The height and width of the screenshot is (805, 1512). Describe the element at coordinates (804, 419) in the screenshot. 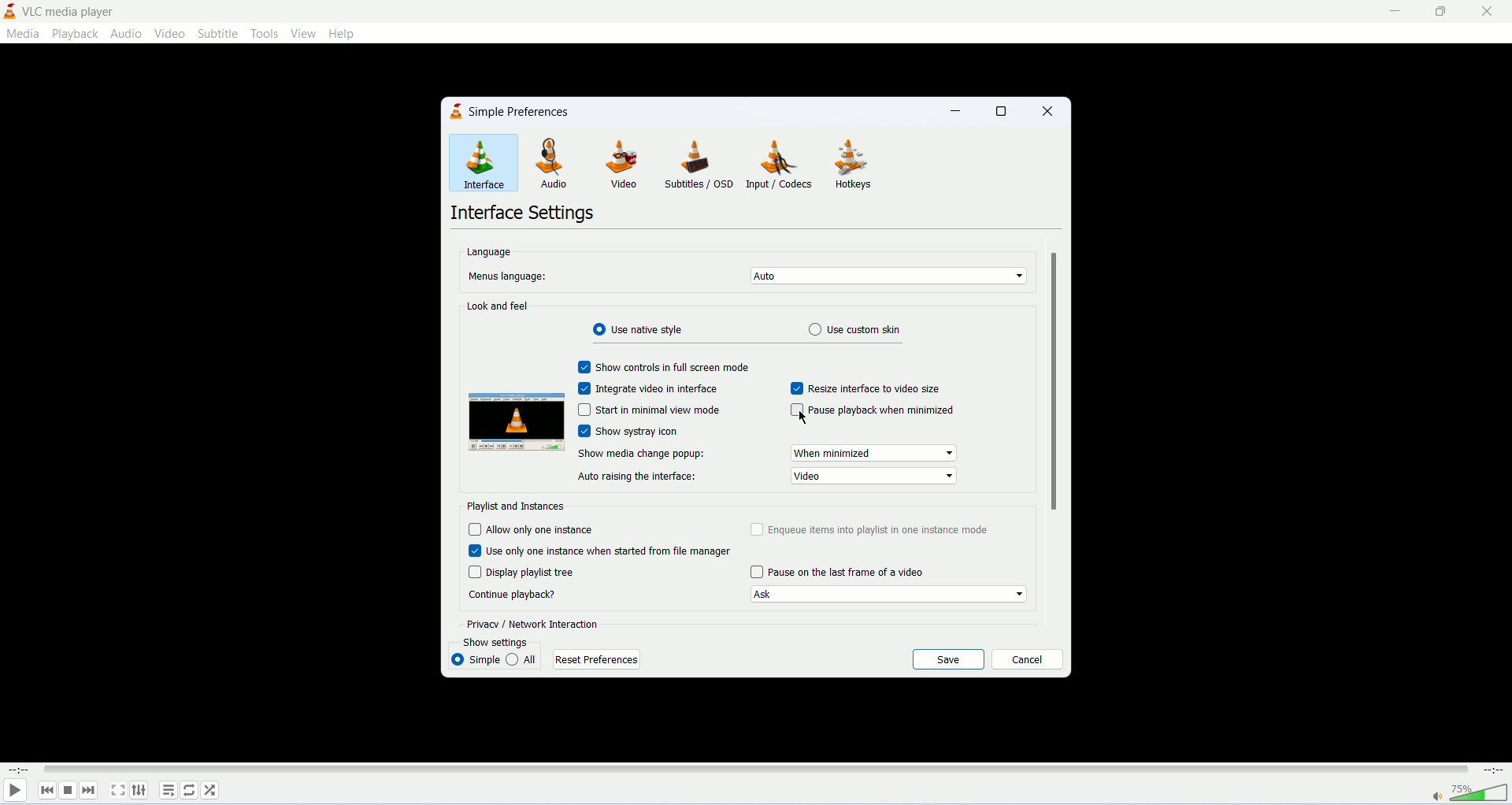

I see `cursor` at that location.